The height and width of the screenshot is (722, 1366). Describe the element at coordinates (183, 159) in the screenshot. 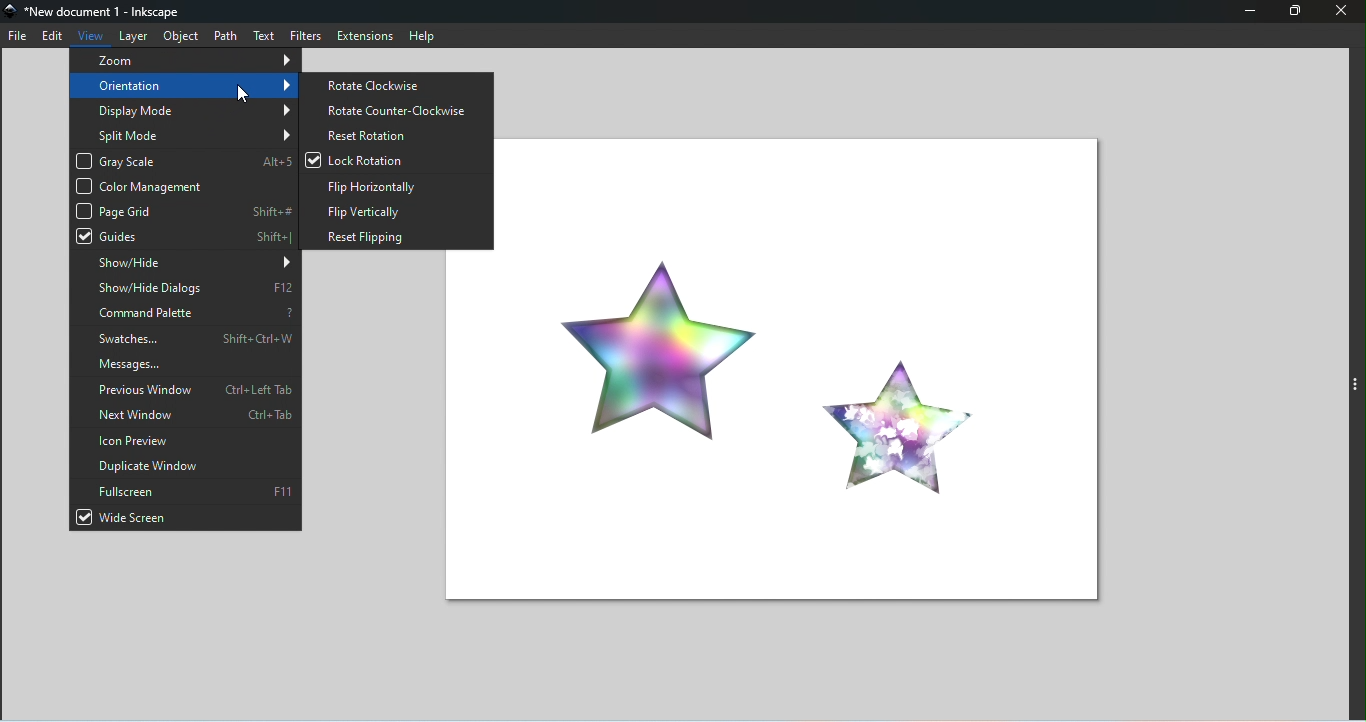

I see `Gray scale` at that location.